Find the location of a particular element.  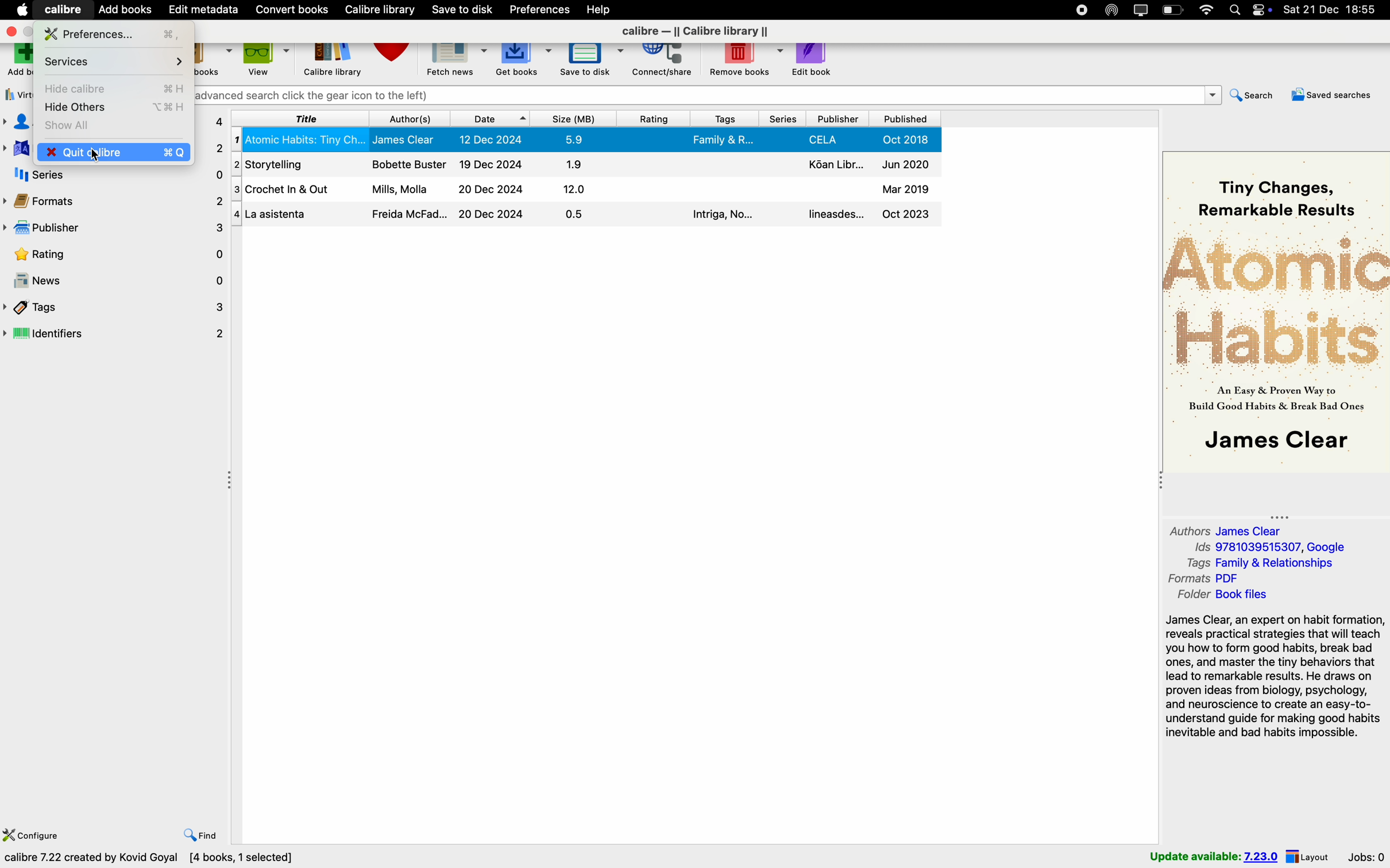

spotlight search is located at coordinates (1237, 9).